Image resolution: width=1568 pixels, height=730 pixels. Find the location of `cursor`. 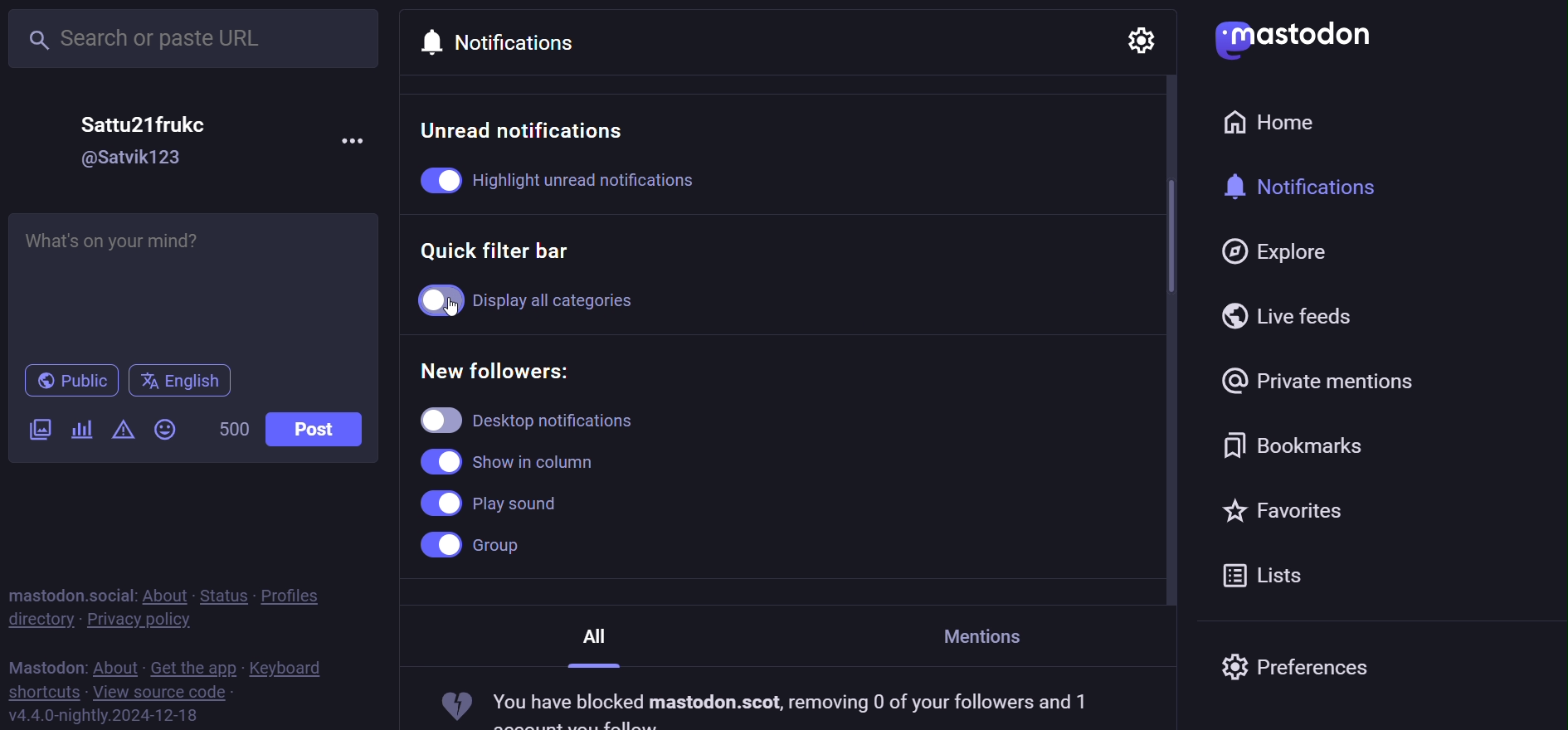

cursor is located at coordinates (466, 305).